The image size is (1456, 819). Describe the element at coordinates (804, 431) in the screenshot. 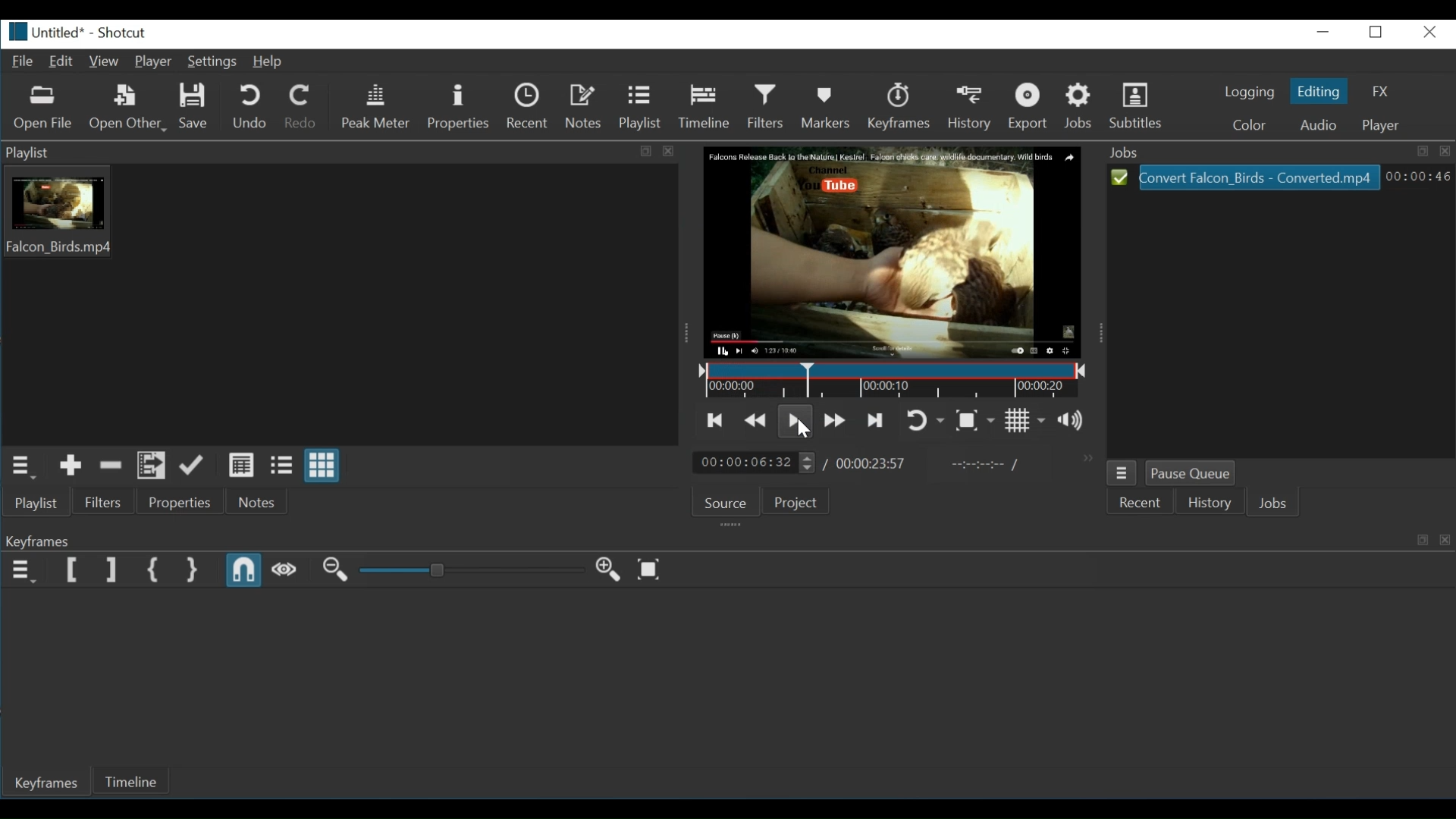

I see `cursor` at that location.